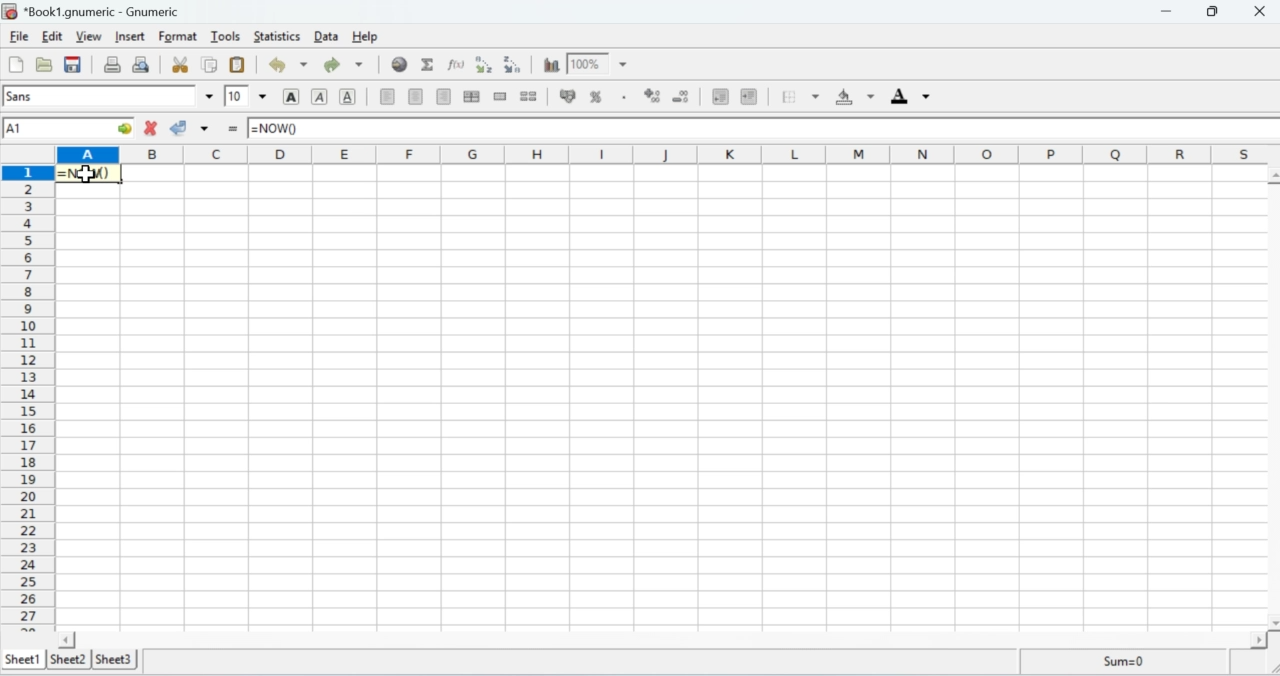 Image resolution: width=1280 pixels, height=676 pixels. What do you see at coordinates (400, 64) in the screenshot?
I see `Insert Hyperlink` at bounding box center [400, 64].